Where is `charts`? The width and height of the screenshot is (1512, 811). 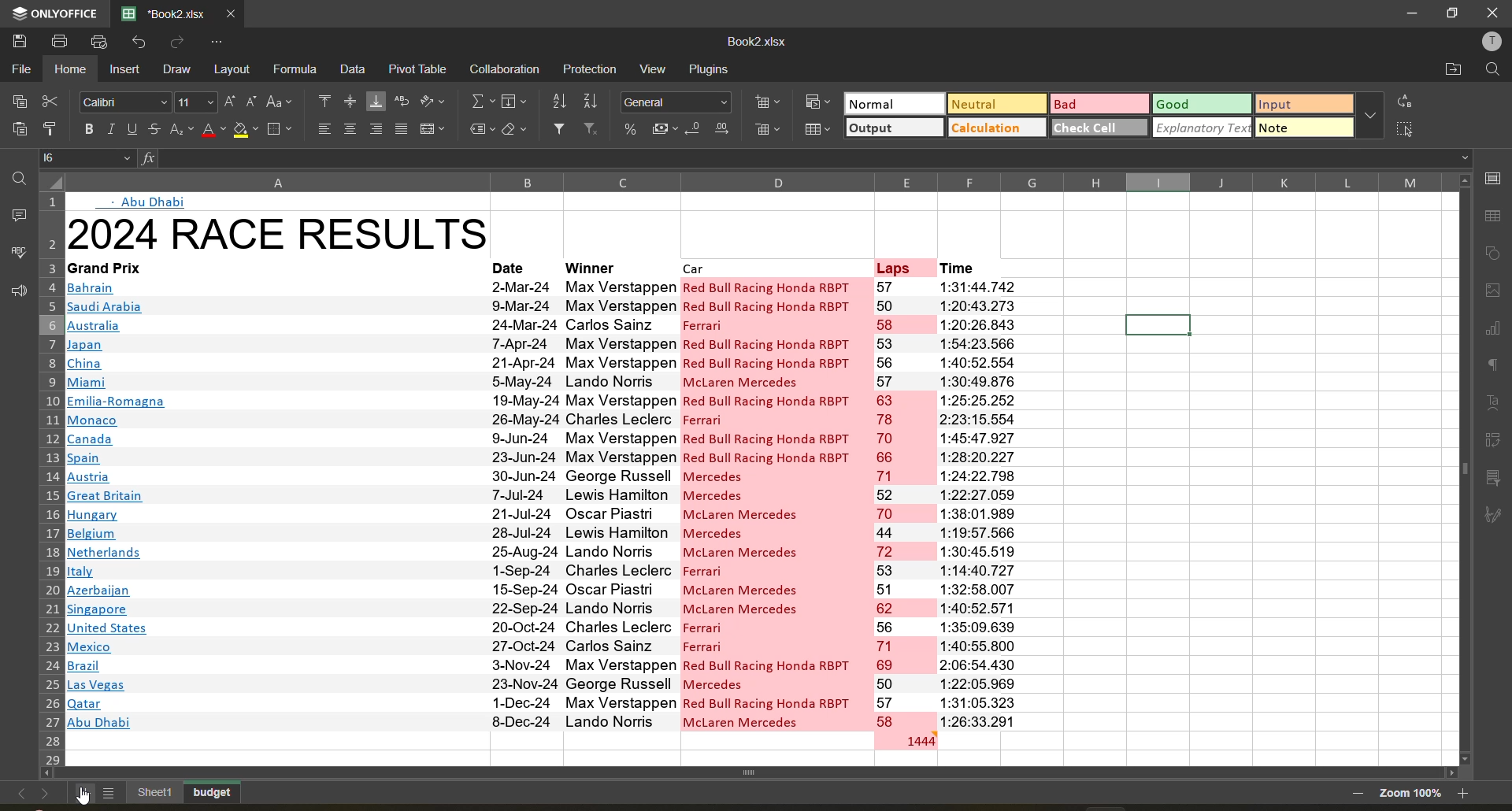
charts is located at coordinates (1497, 330).